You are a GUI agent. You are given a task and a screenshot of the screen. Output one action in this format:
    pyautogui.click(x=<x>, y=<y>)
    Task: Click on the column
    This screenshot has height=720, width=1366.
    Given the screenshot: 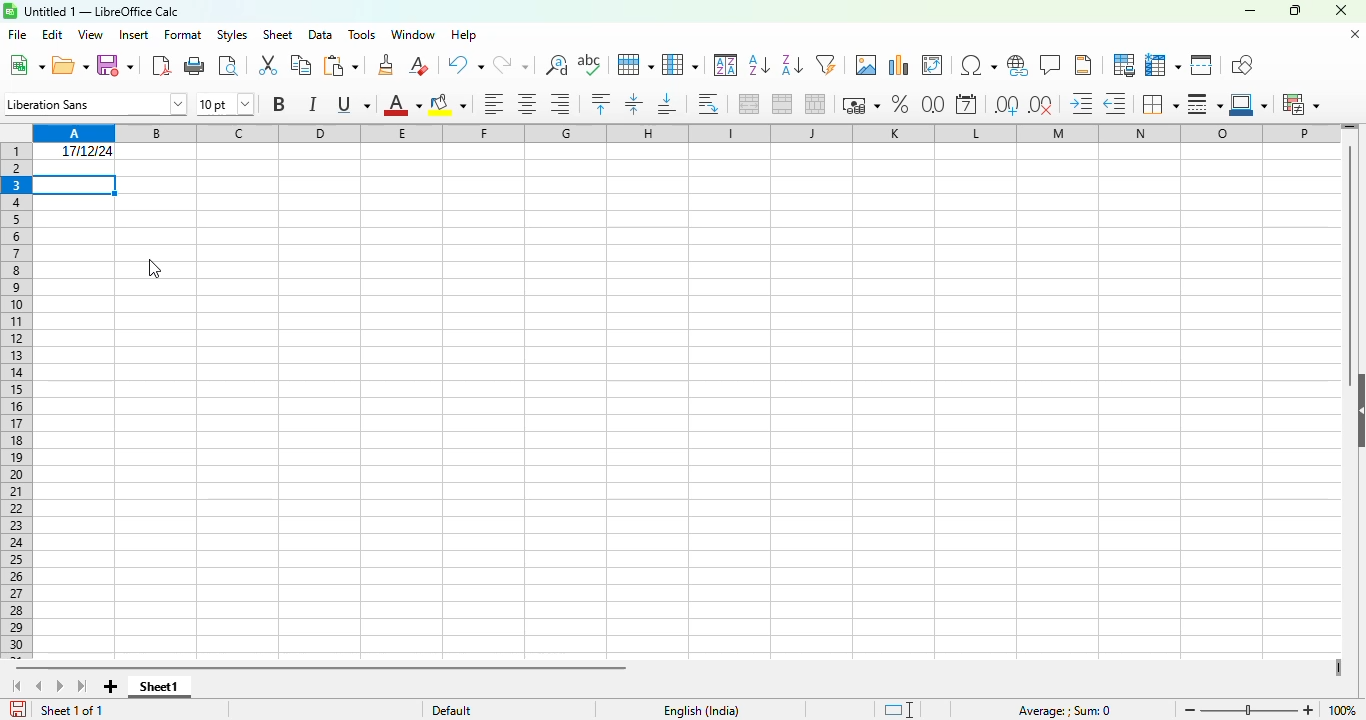 What is the action you would take?
    pyautogui.click(x=680, y=64)
    